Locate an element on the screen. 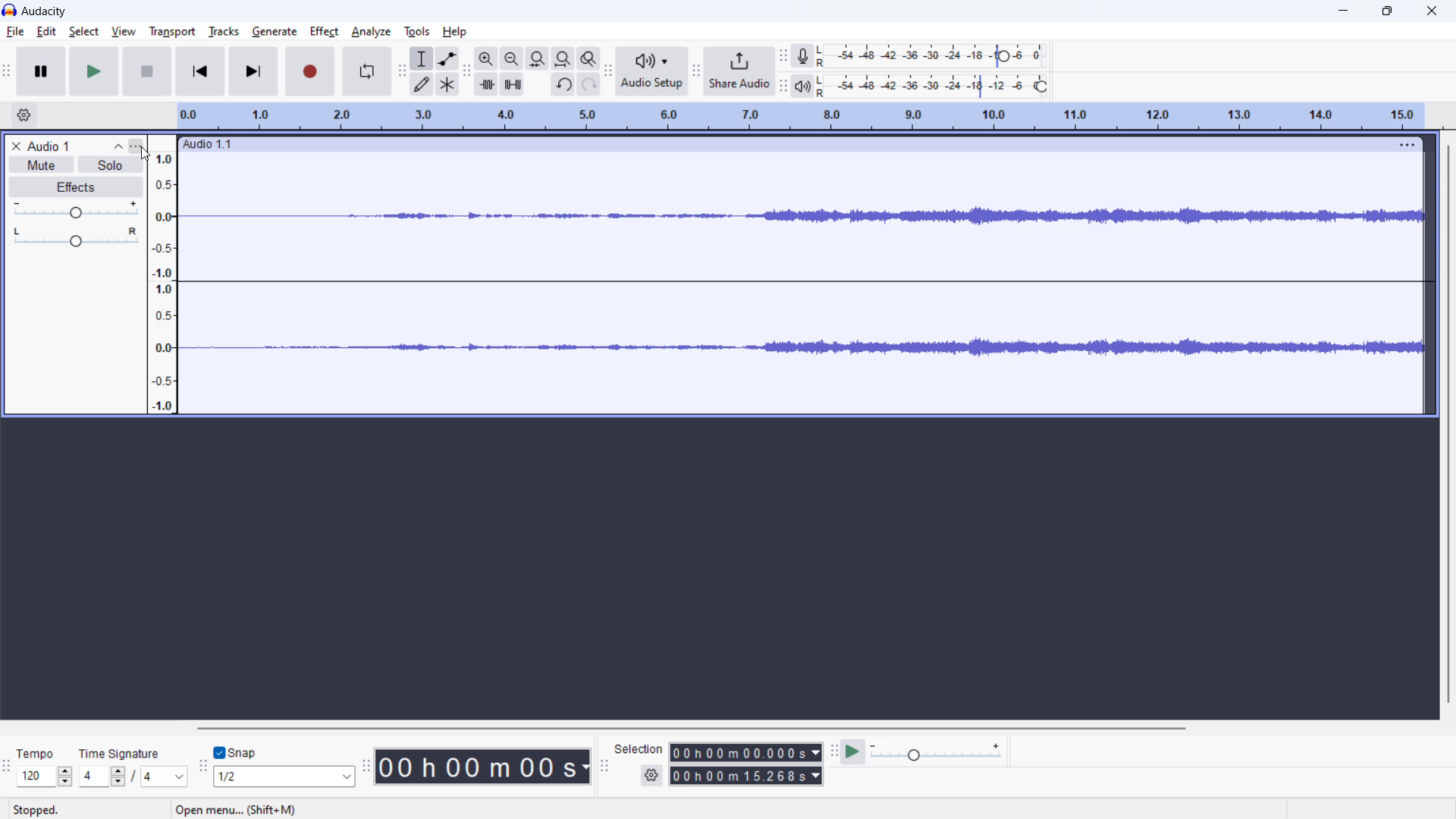 The image size is (1456, 819). select is located at coordinates (84, 31).